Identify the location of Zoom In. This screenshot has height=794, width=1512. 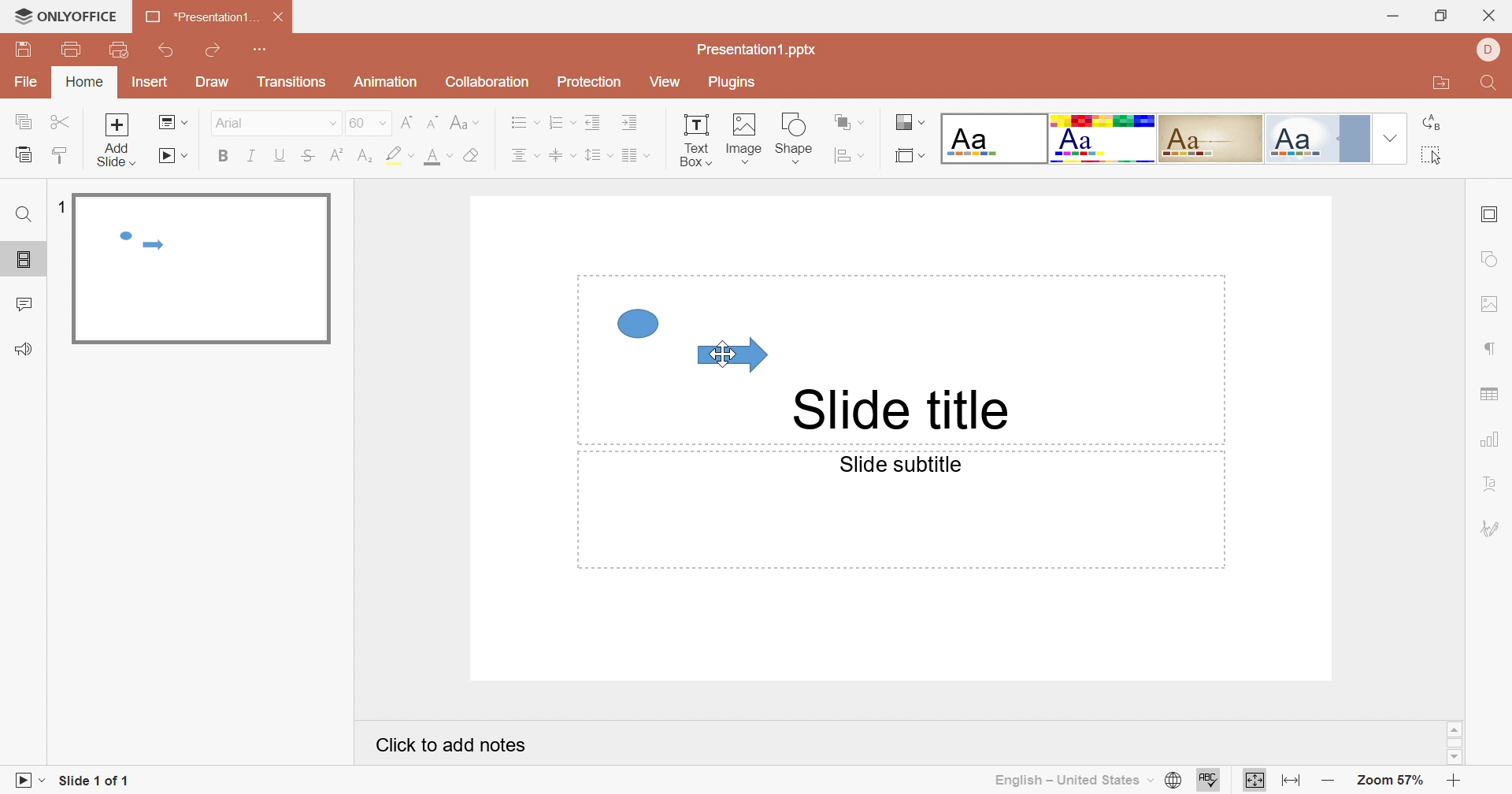
(1456, 780).